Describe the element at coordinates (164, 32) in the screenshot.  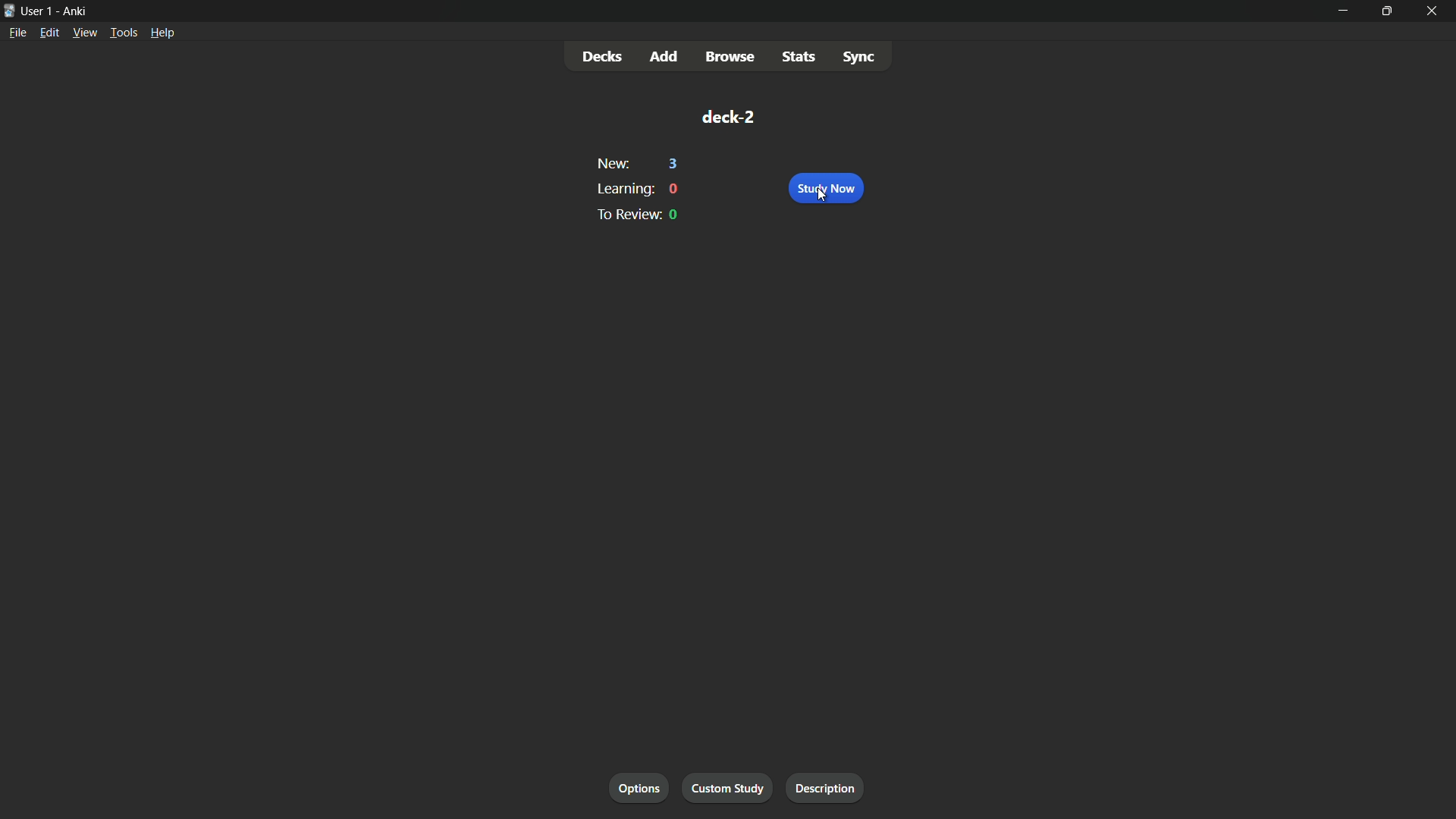
I see `help menu` at that location.